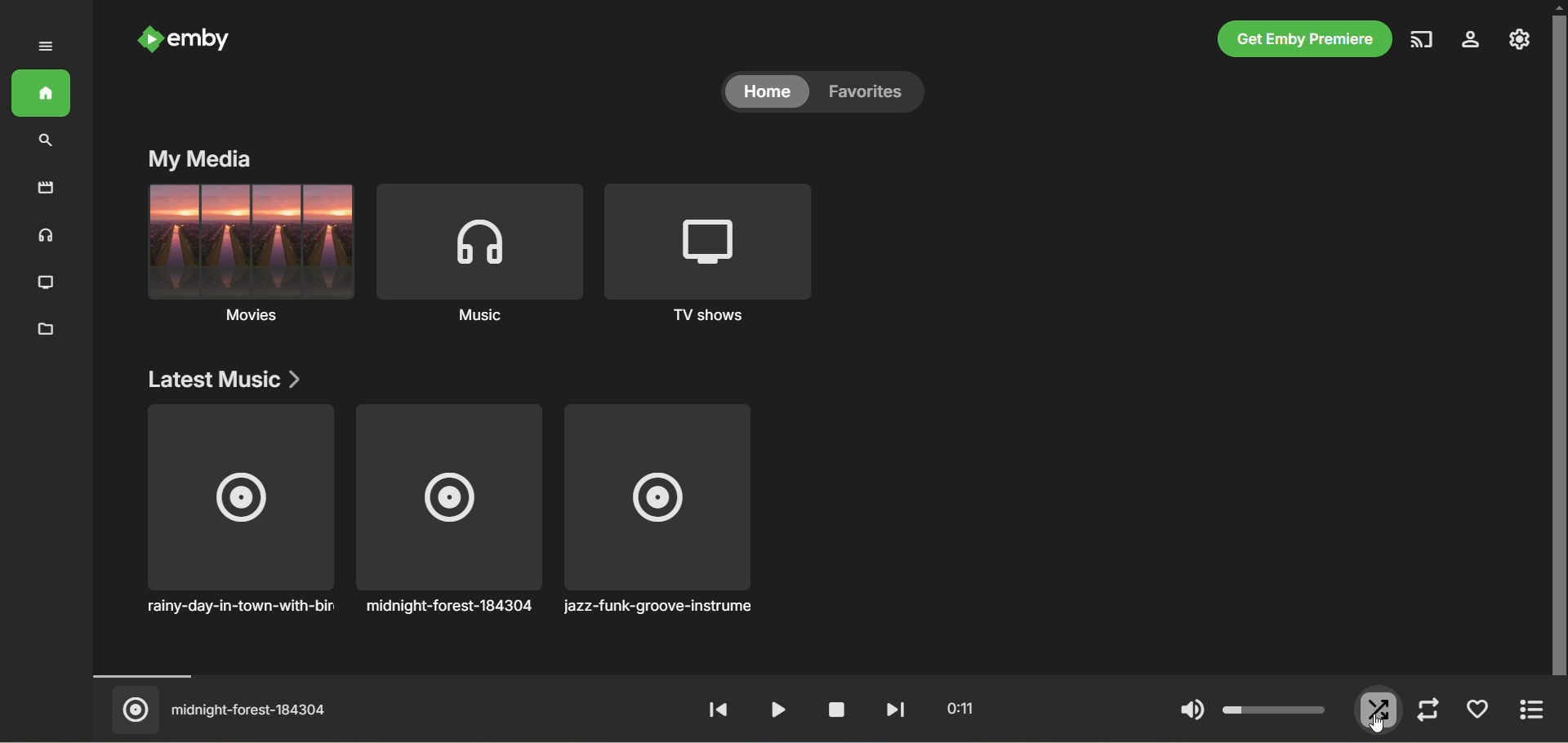  I want to click on rainy-day-in-town-with-birds singing, so click(239, 513).